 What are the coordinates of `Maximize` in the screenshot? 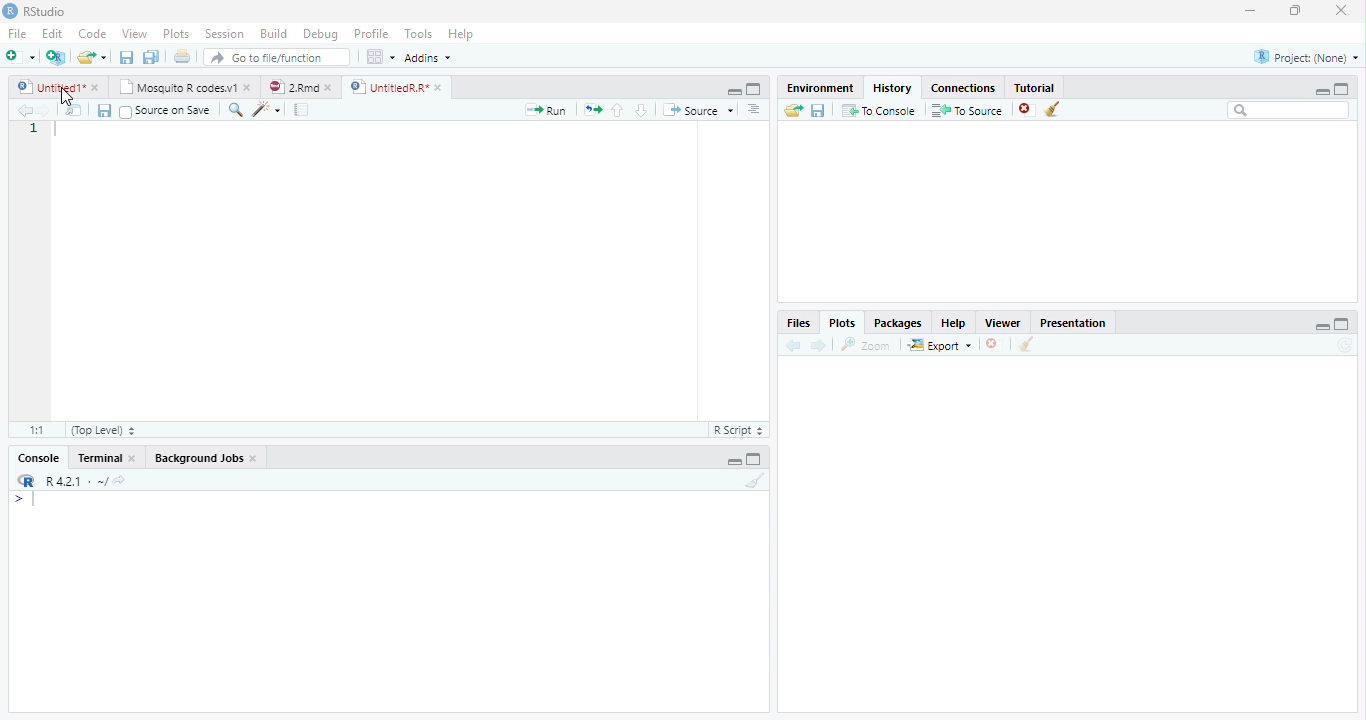 It's located at (756, 460).